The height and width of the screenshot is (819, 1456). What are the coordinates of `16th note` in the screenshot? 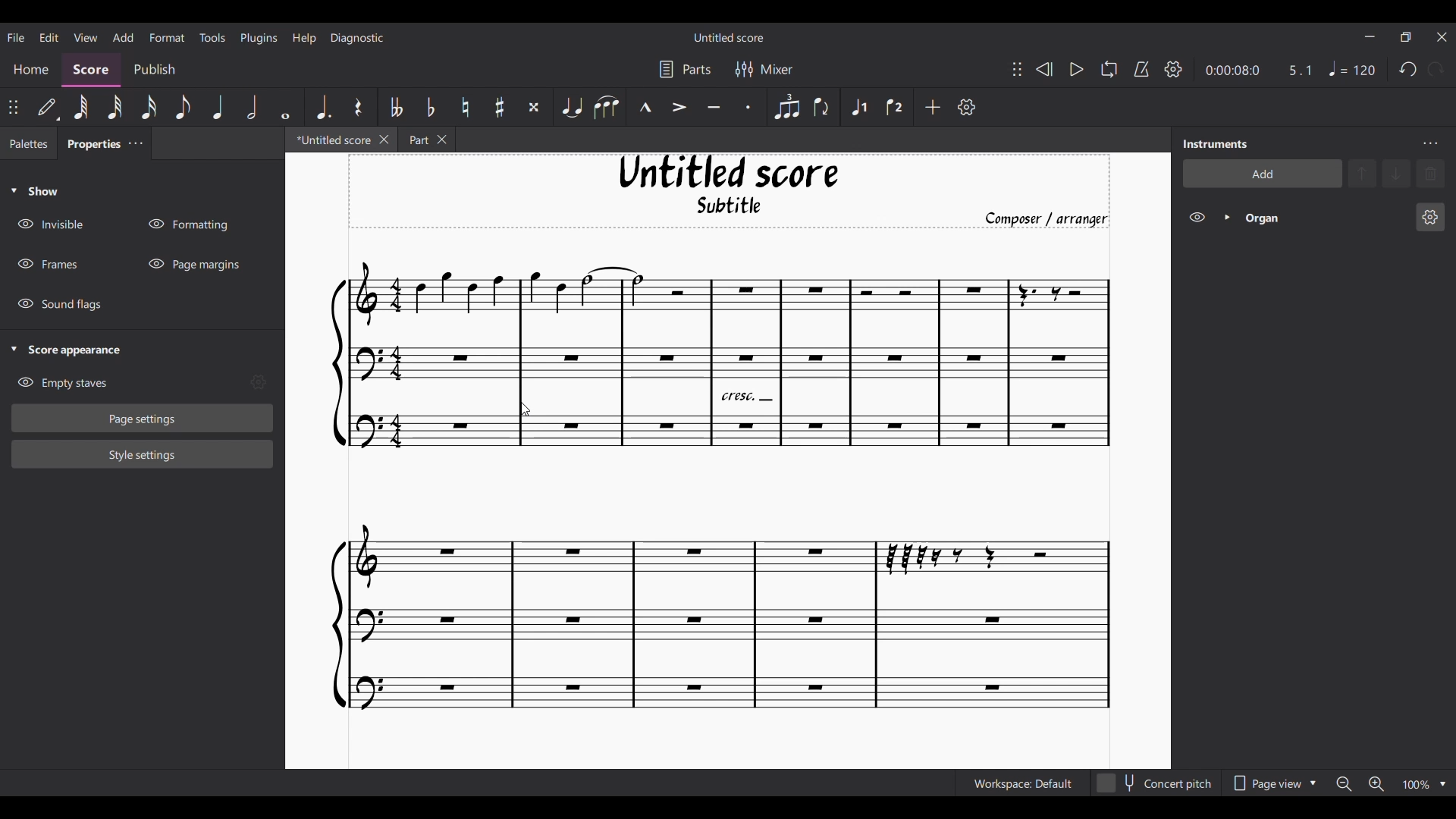 It's located at (150, 107).